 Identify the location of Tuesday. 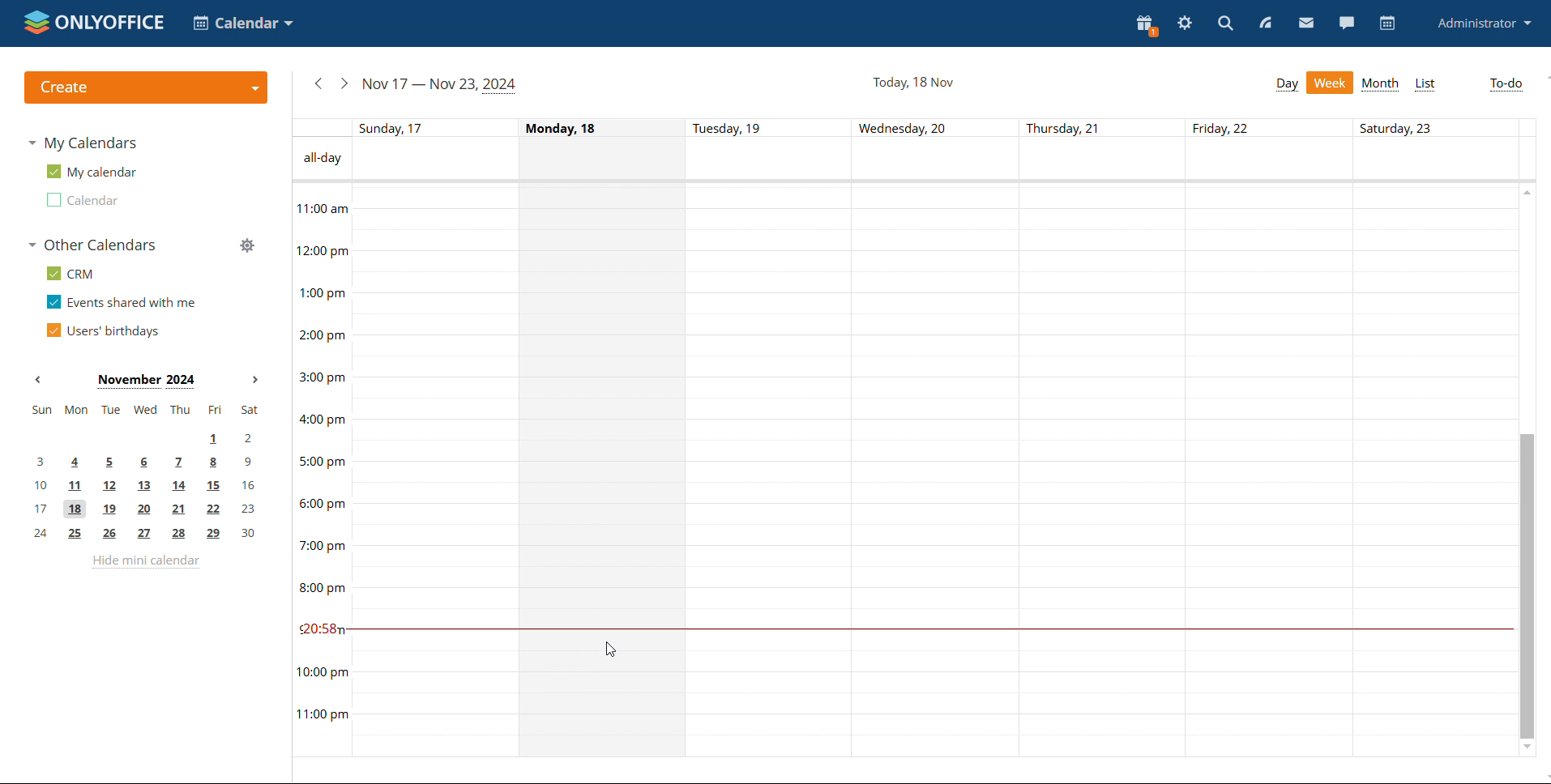
(769, 473).